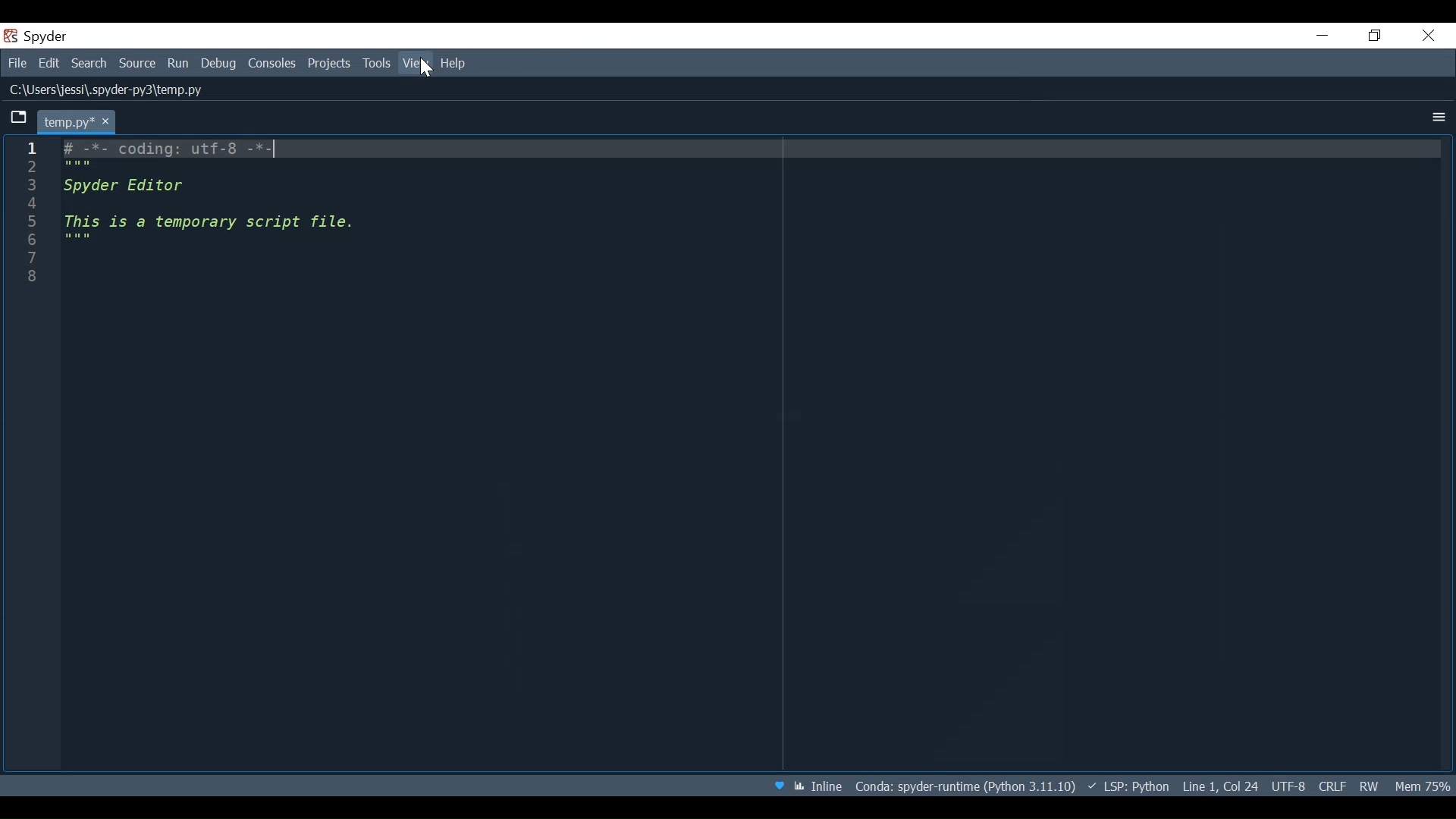 The height and width of the screenshot is (819, 1456). I want to click on Source, so click(139, 63).